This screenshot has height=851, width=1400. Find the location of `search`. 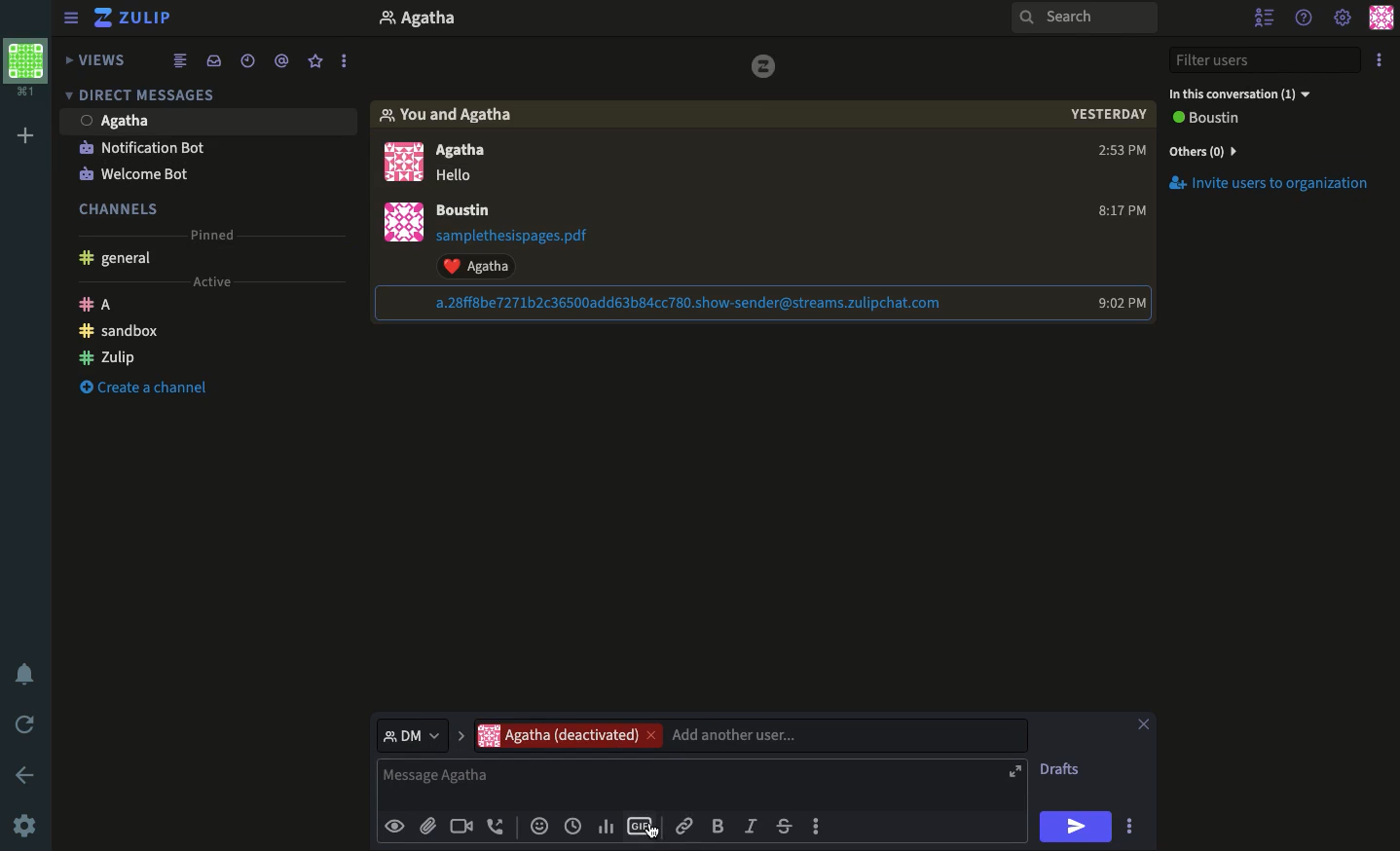

search is located at coordinates (1085, 23).